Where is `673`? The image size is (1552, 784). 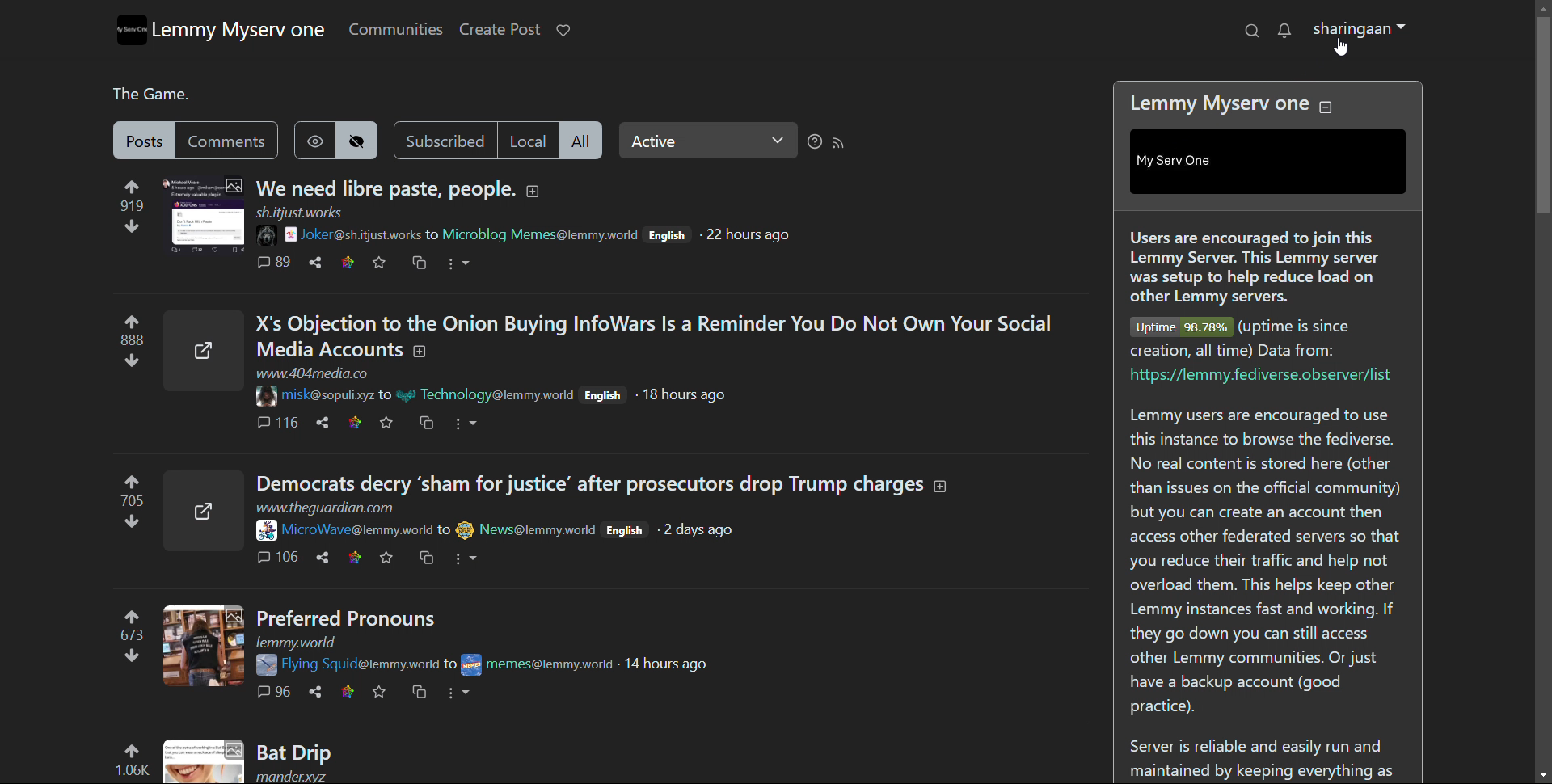 673 is located at coordinates (127, 634).